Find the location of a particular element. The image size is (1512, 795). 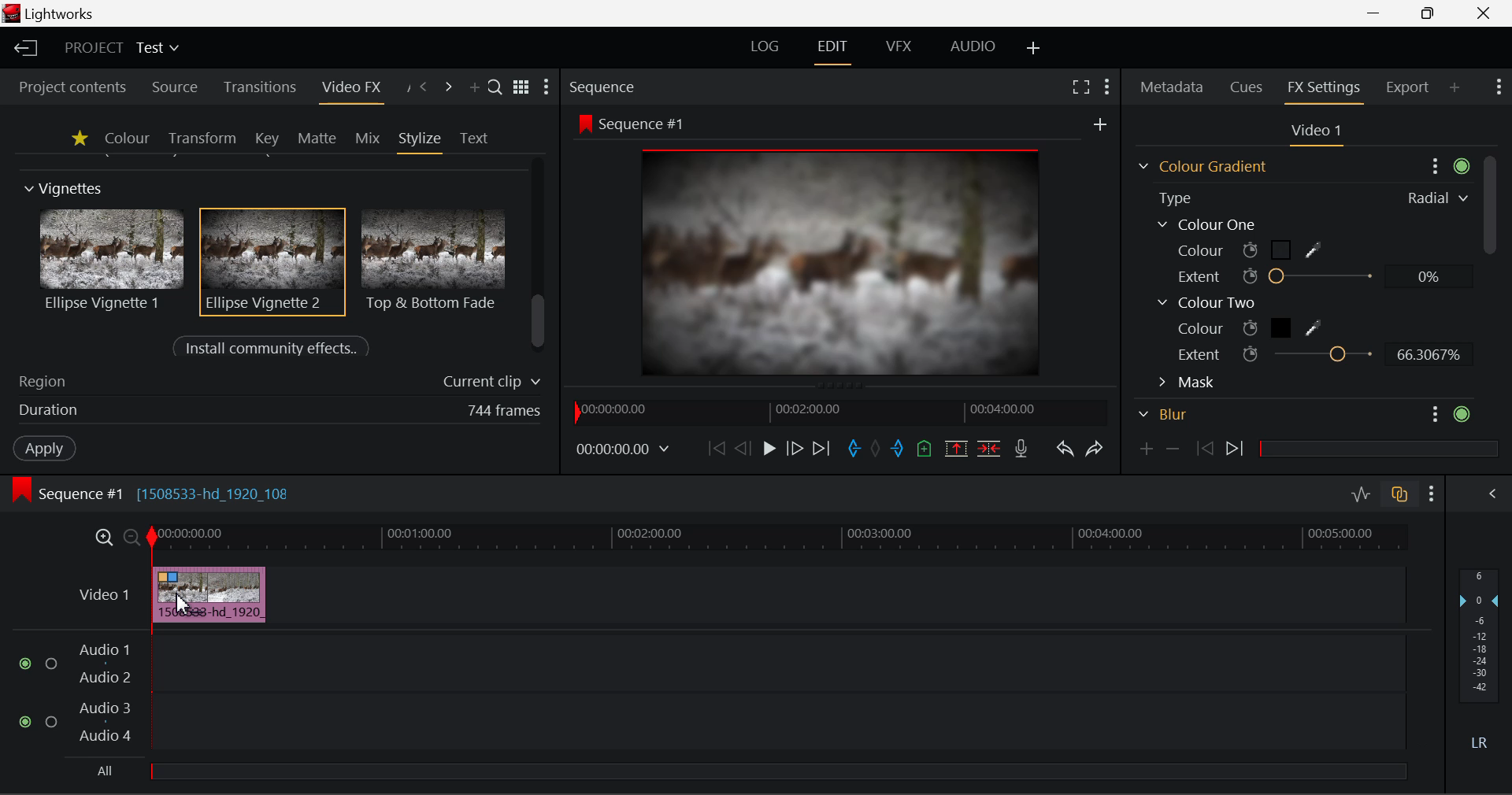

Last keyframe is located at coordinates (1206, 451).